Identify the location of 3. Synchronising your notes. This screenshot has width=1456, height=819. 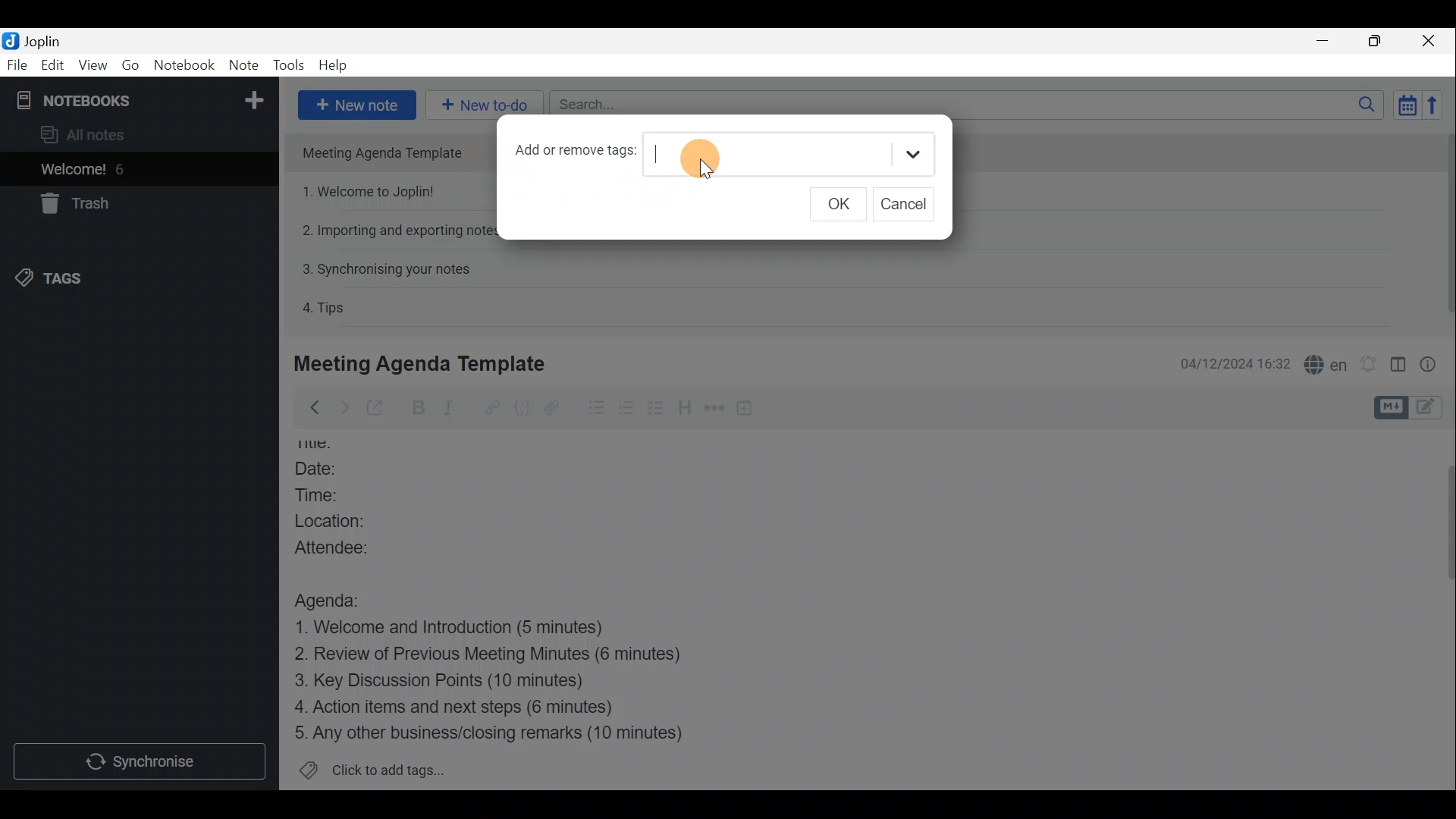
(386, 268).